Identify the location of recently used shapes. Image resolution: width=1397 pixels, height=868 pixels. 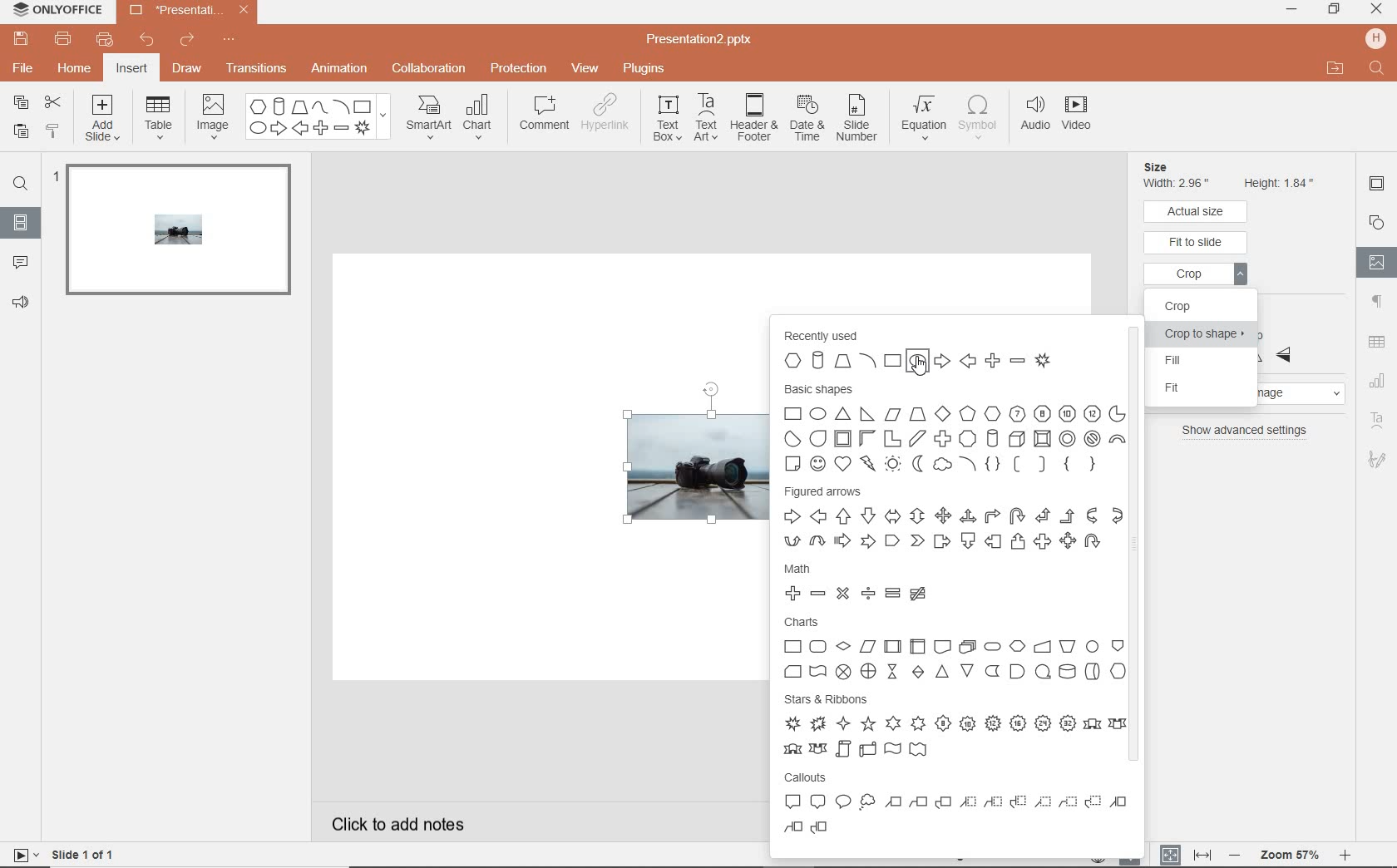
(936, 350).